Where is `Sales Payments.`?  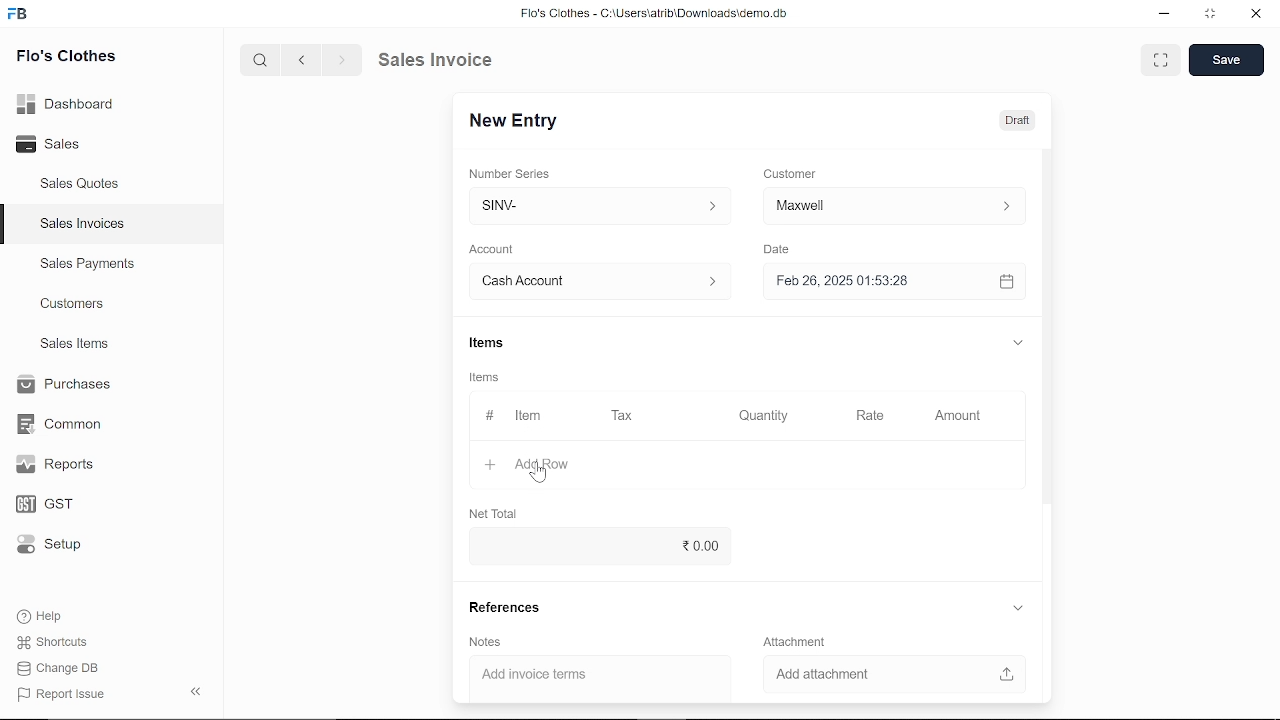 Sales Payments. is located at coordinates (86, 264).